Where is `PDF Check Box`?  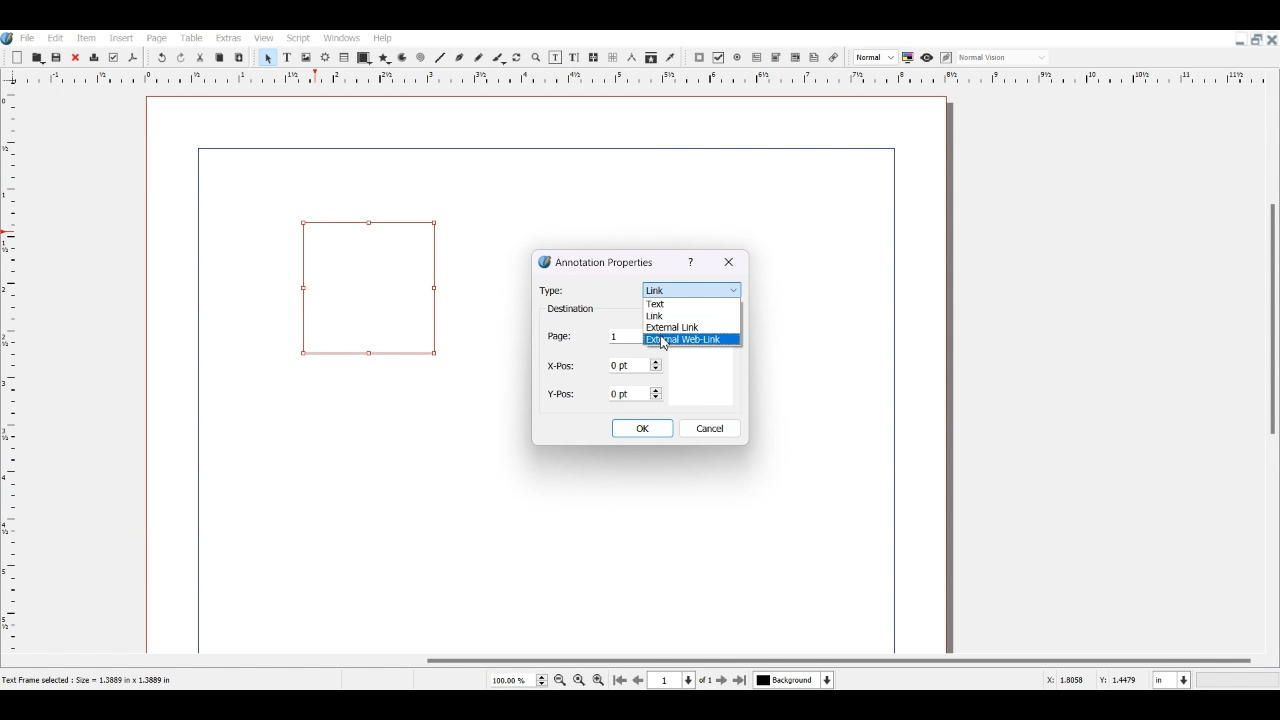 PDF Check Box is located at coordinates (719, 58).